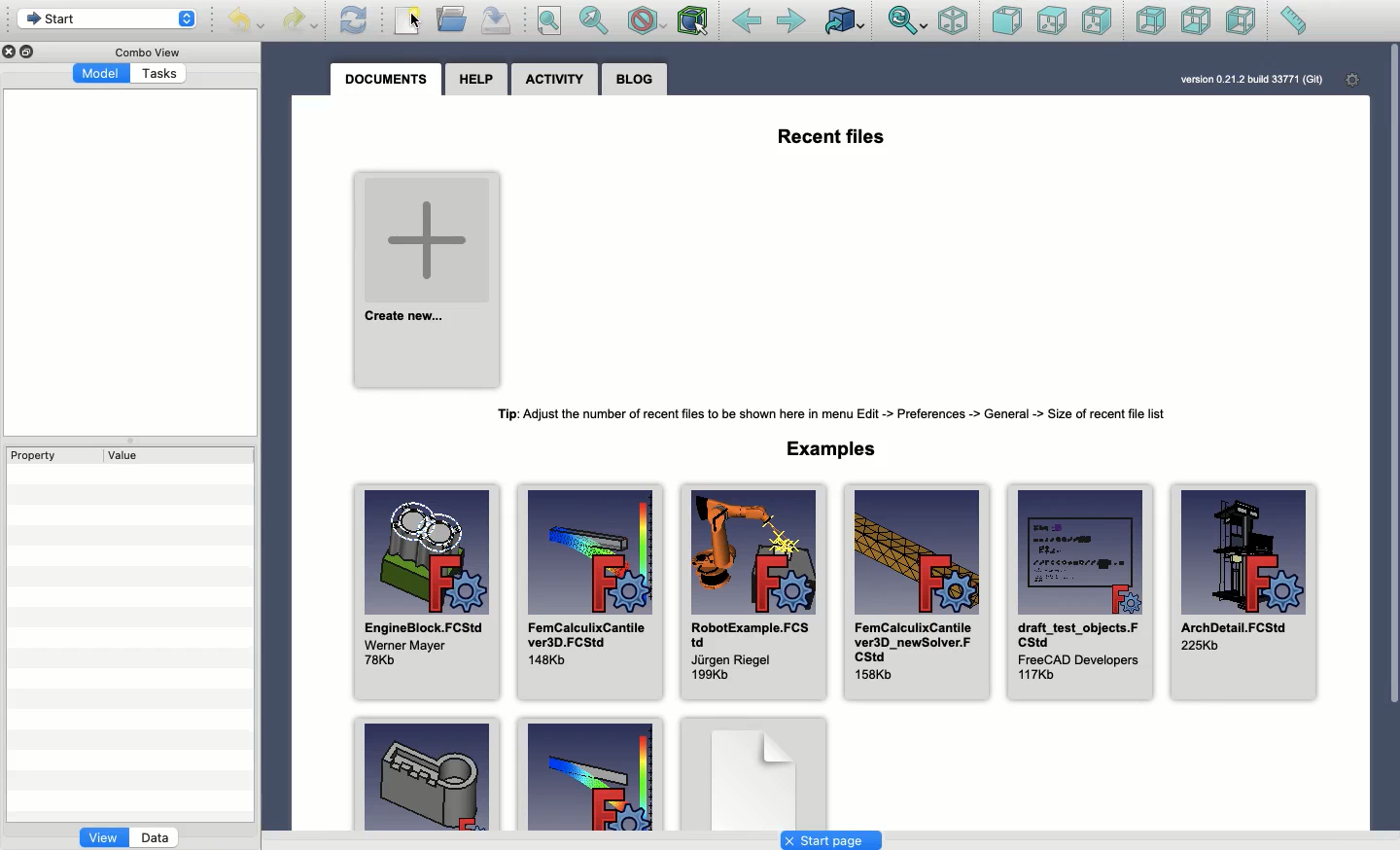  What do you see at coordinates (143, 53) in the screenshot?
I see `Combo view` at bounding box center [143, 53].